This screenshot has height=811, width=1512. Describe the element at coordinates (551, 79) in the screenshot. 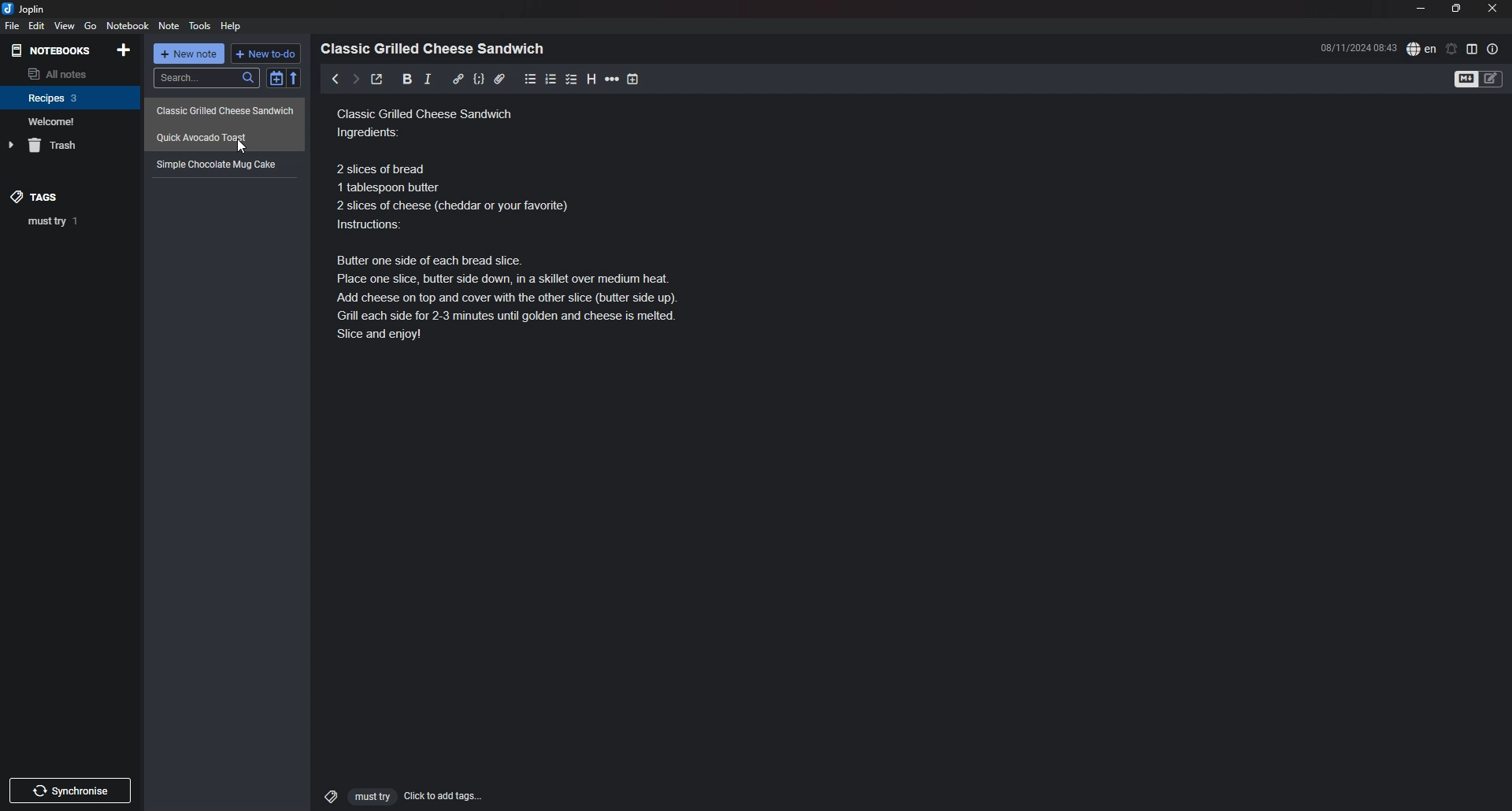

I see `number list` at that location.